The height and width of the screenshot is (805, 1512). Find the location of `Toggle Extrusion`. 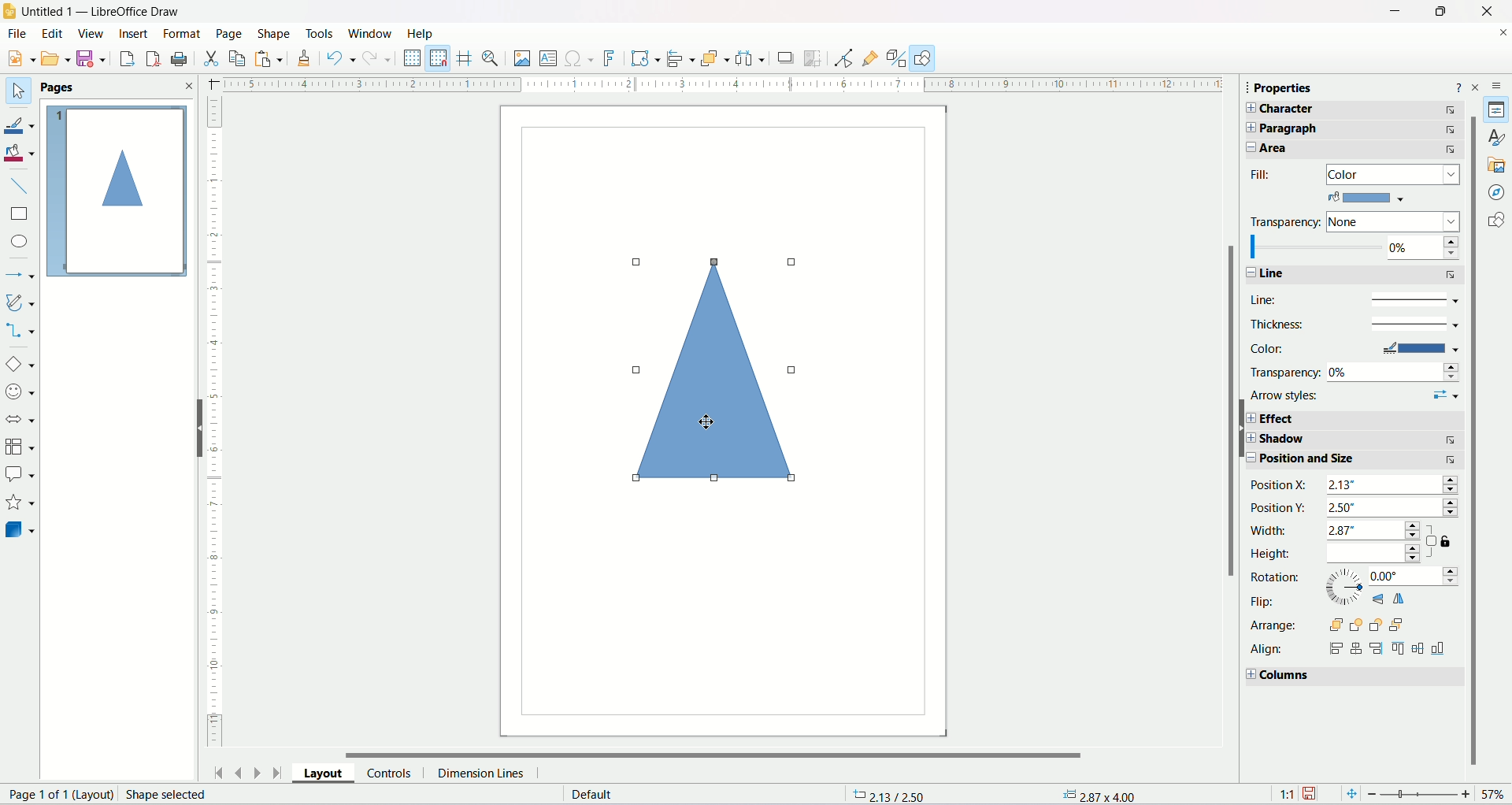

Toggle Extrusion is located at coordinates (897, 57).